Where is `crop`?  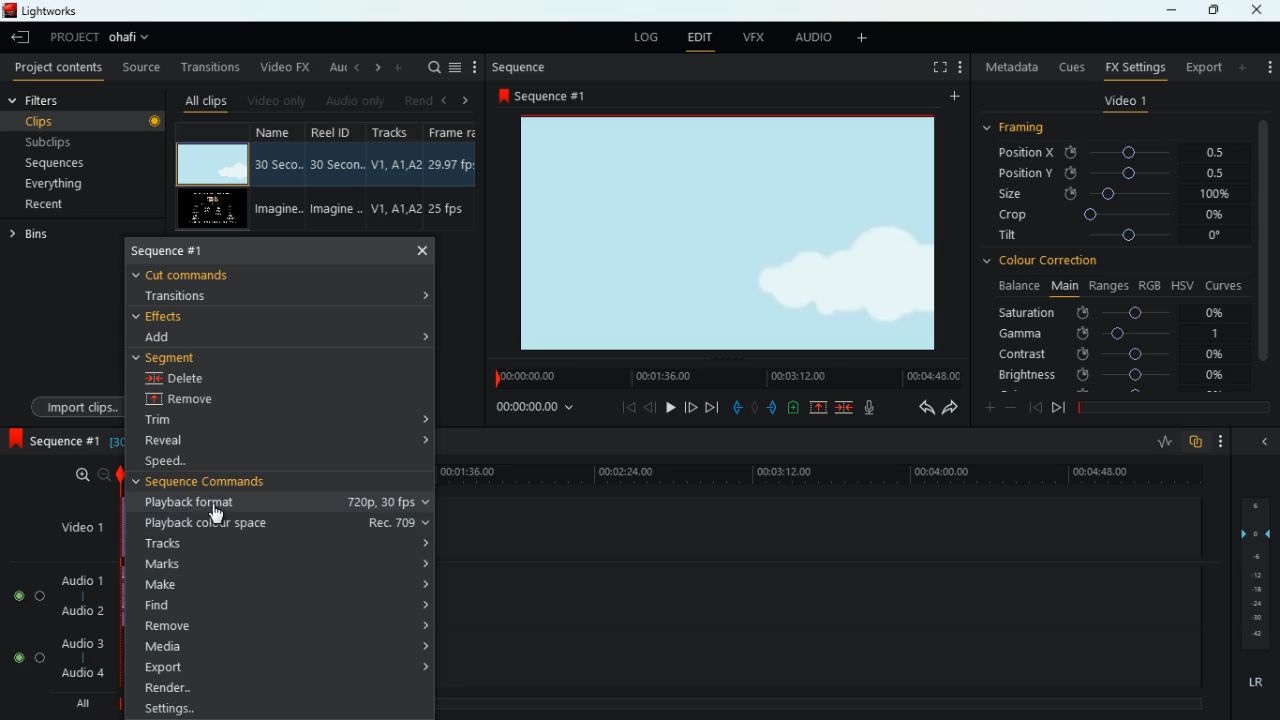
crop is located at coordinates (1118, 216).